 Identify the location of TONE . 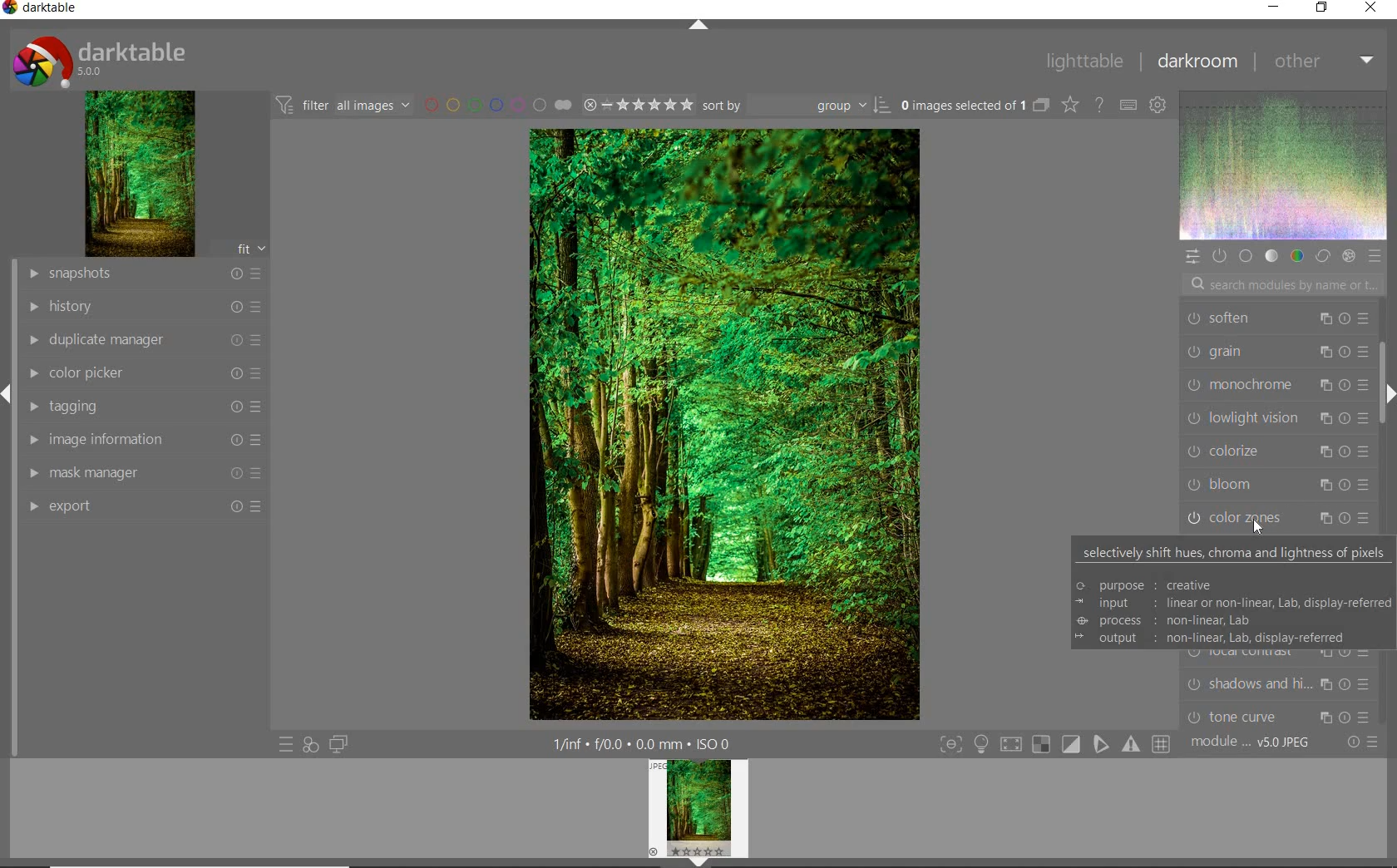
(1271, 256).